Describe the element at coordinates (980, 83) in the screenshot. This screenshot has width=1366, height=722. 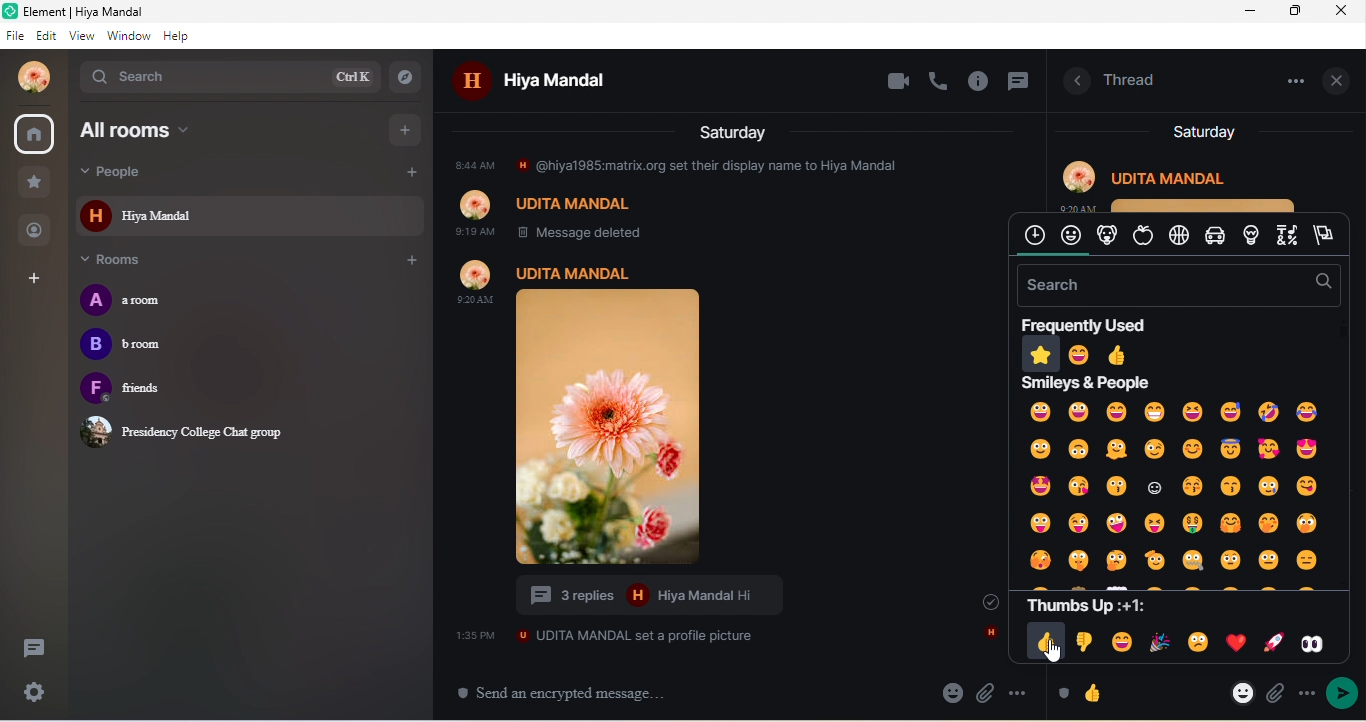
I see `info` at that location.